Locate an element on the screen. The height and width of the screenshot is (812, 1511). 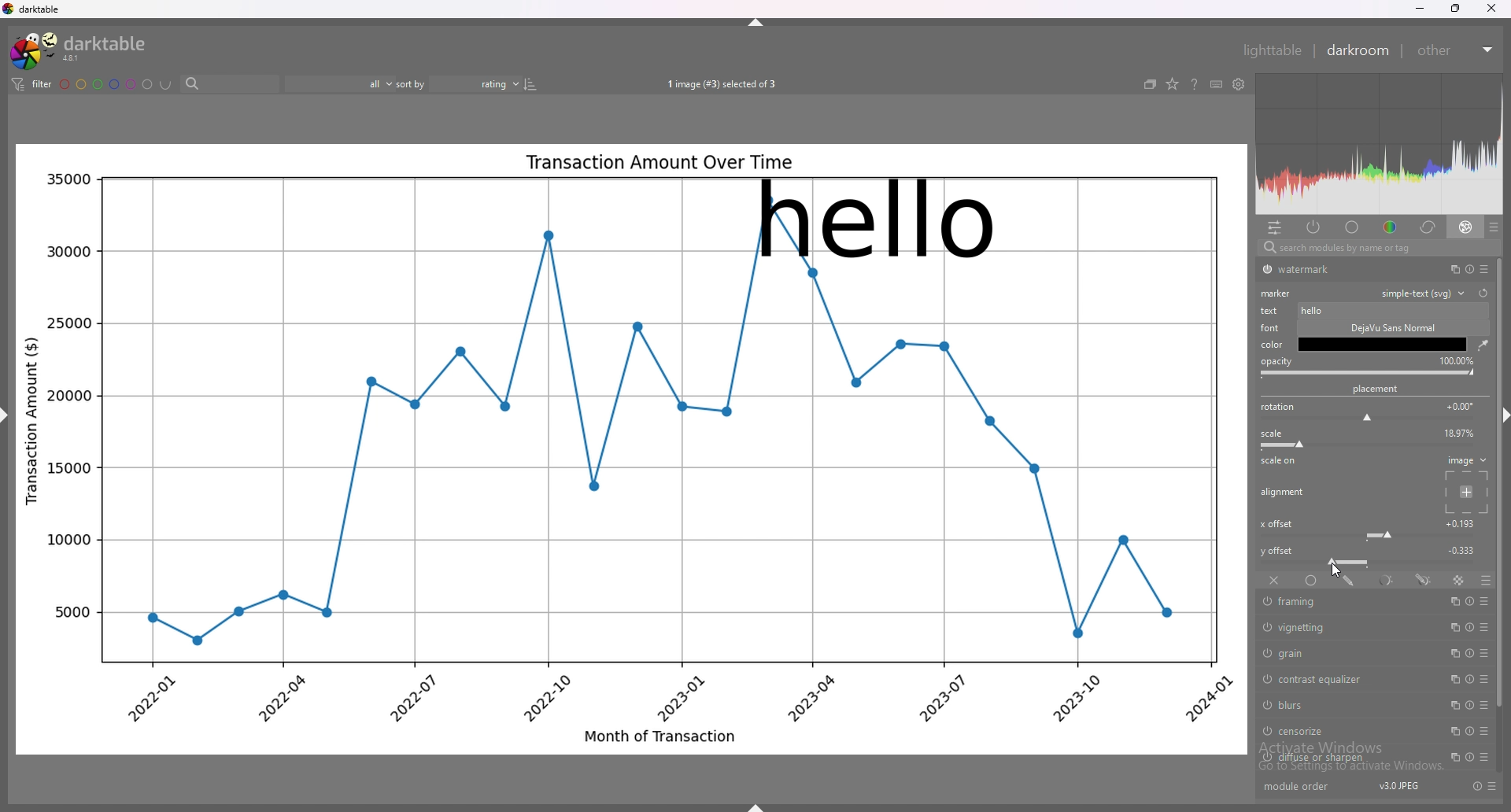
presets is located at coordinates (1485, 733).